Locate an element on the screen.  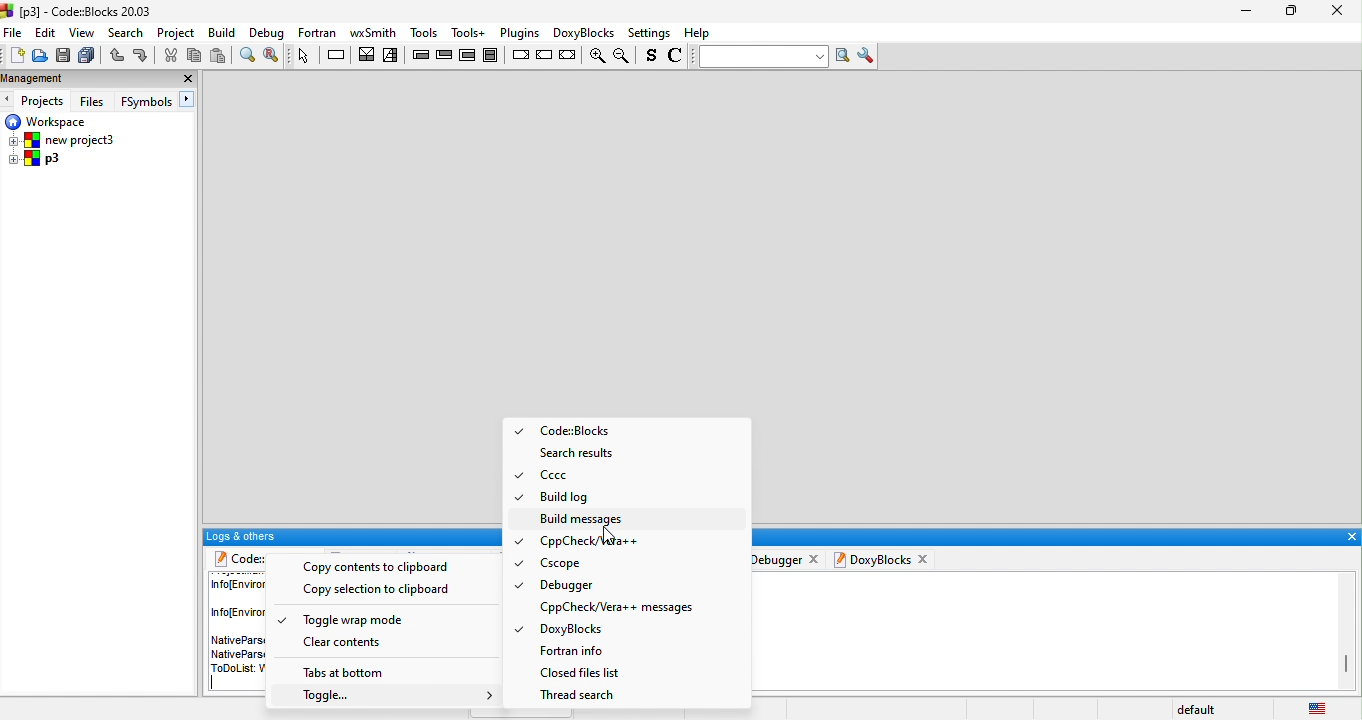
debugger is located at coordinates (777, 558).